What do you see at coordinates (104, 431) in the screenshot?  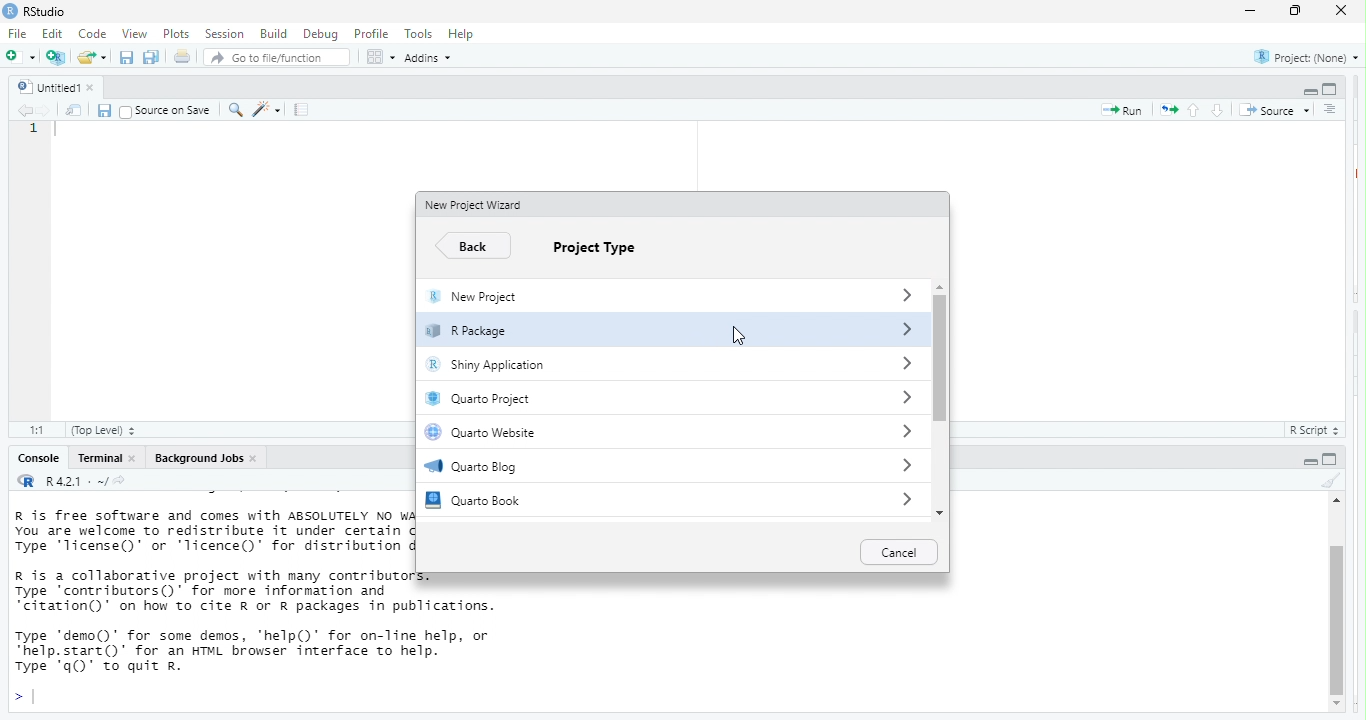 I see `(Top Level) ` at bounding box center [104, 431].